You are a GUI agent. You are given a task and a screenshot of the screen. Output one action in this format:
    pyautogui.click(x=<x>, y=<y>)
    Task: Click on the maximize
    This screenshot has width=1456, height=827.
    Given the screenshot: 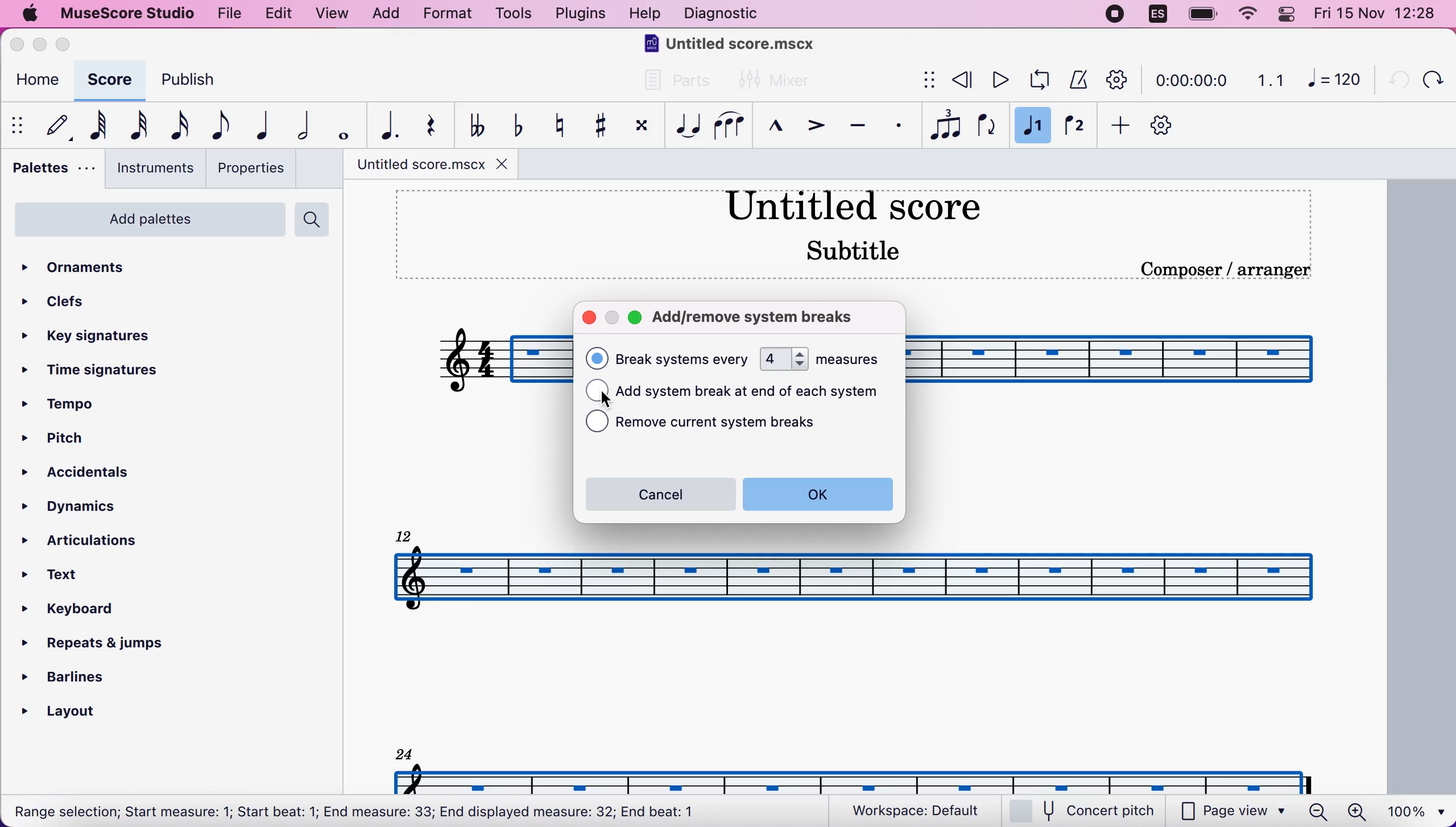 What is the action you would take?
    pyautogui.click(x=67, y=44)
    